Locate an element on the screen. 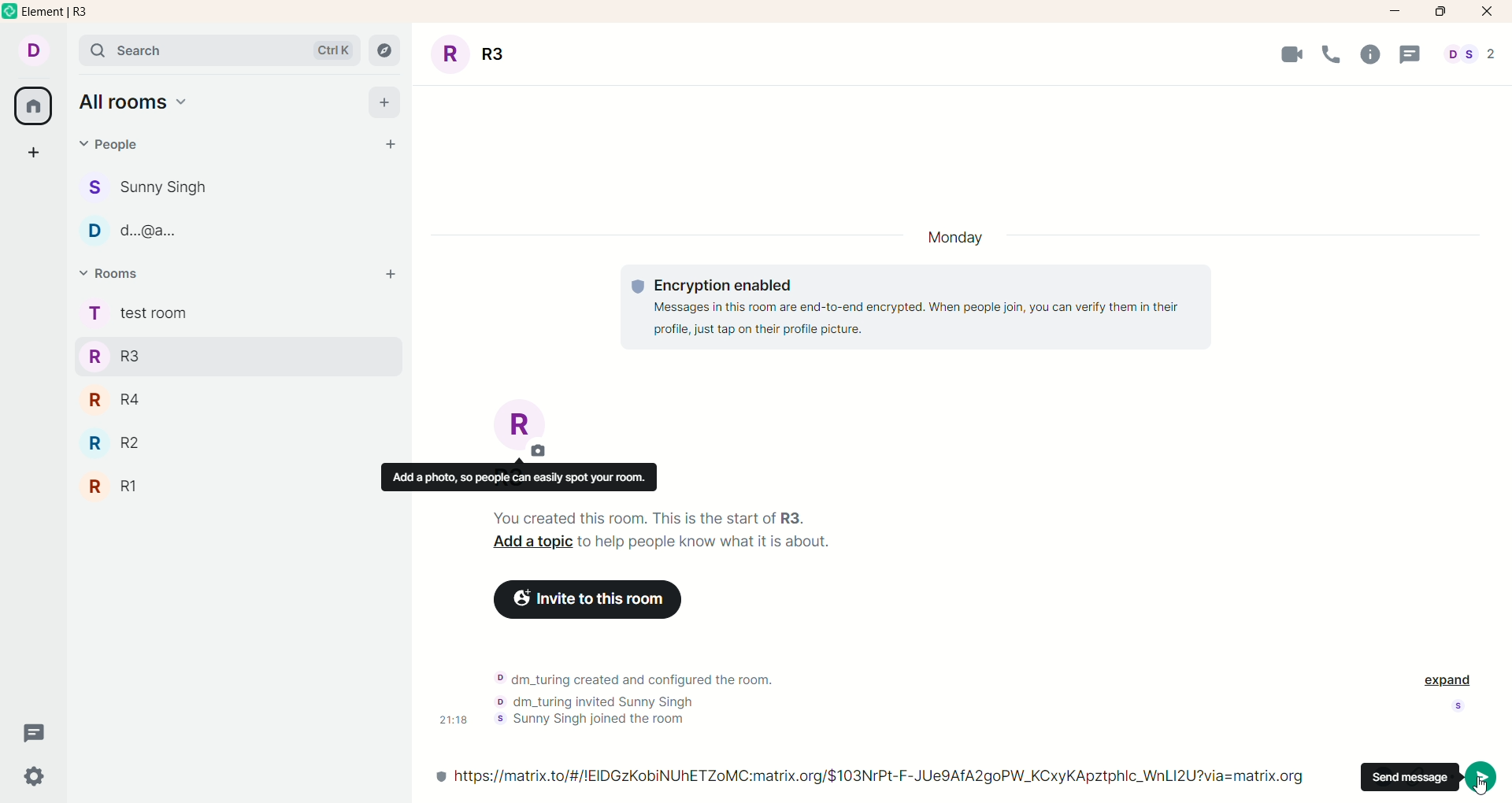 This screenshot has height=803, width=1512. explore rooms is located at coordinates (385, 52).